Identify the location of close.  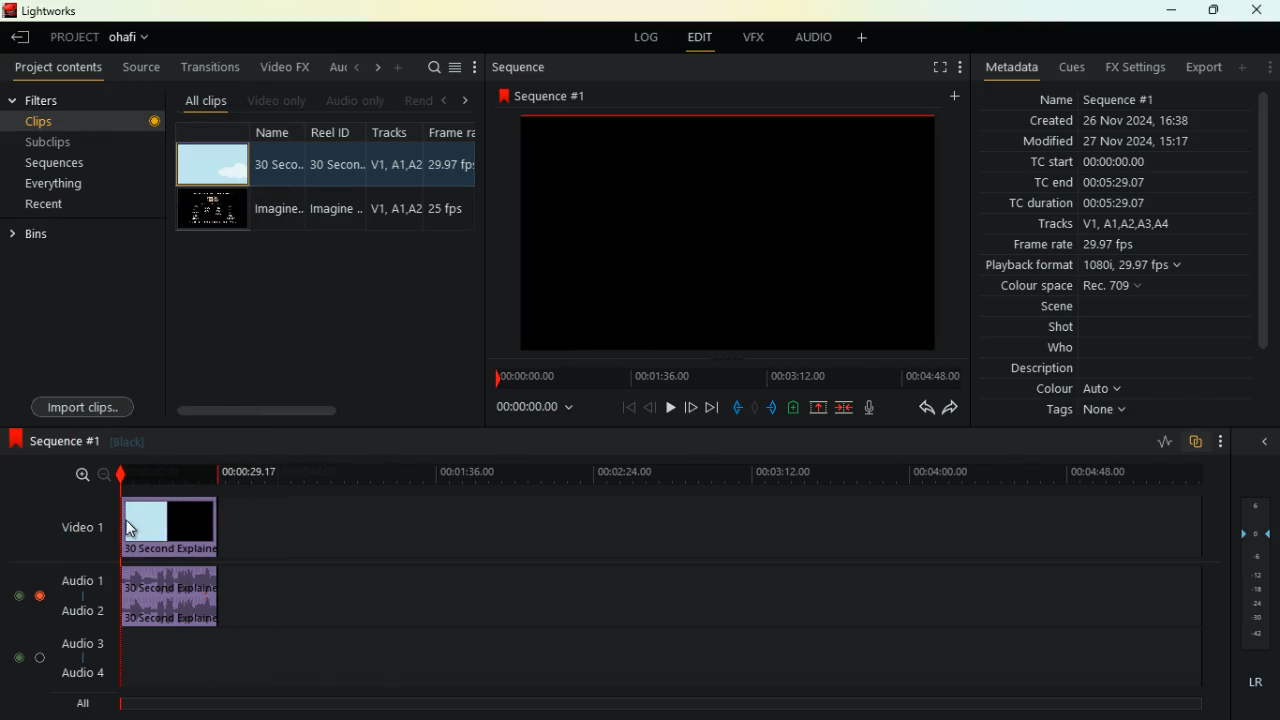
(1261, 9).